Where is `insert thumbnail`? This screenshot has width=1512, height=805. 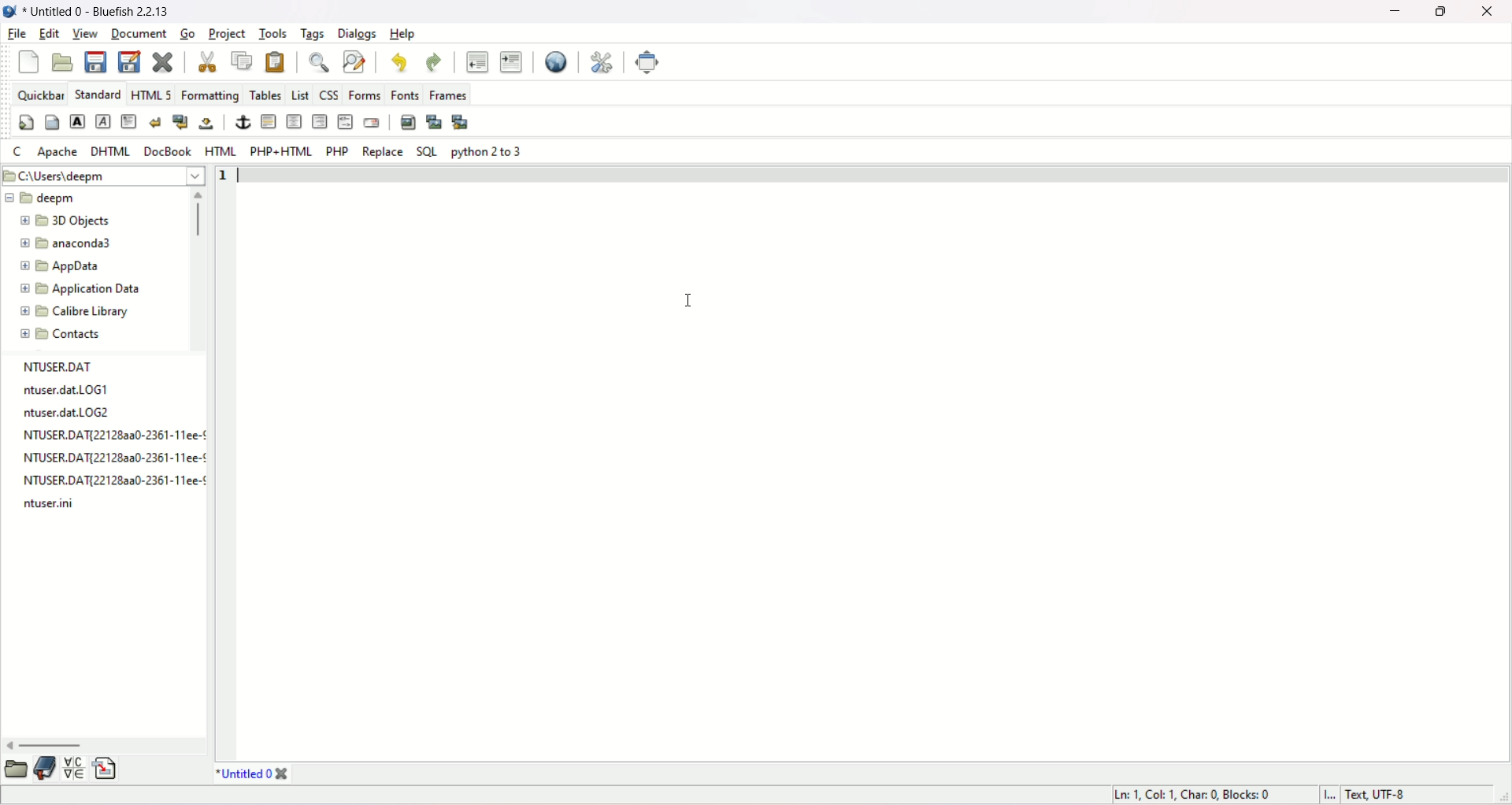 insert thumbnail is located at coordinates (435, 123).